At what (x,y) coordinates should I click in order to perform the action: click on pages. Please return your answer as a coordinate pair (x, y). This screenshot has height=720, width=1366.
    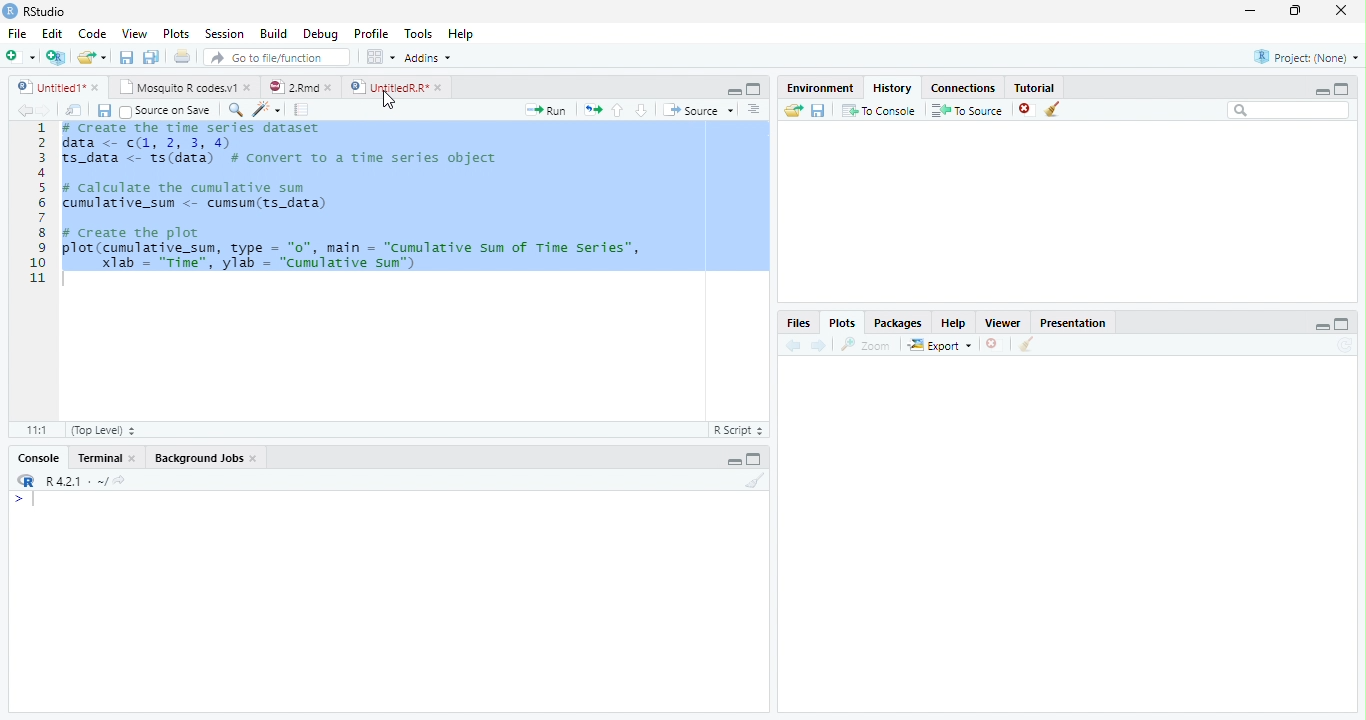
    Looking at the image, I should click on (299, 112).